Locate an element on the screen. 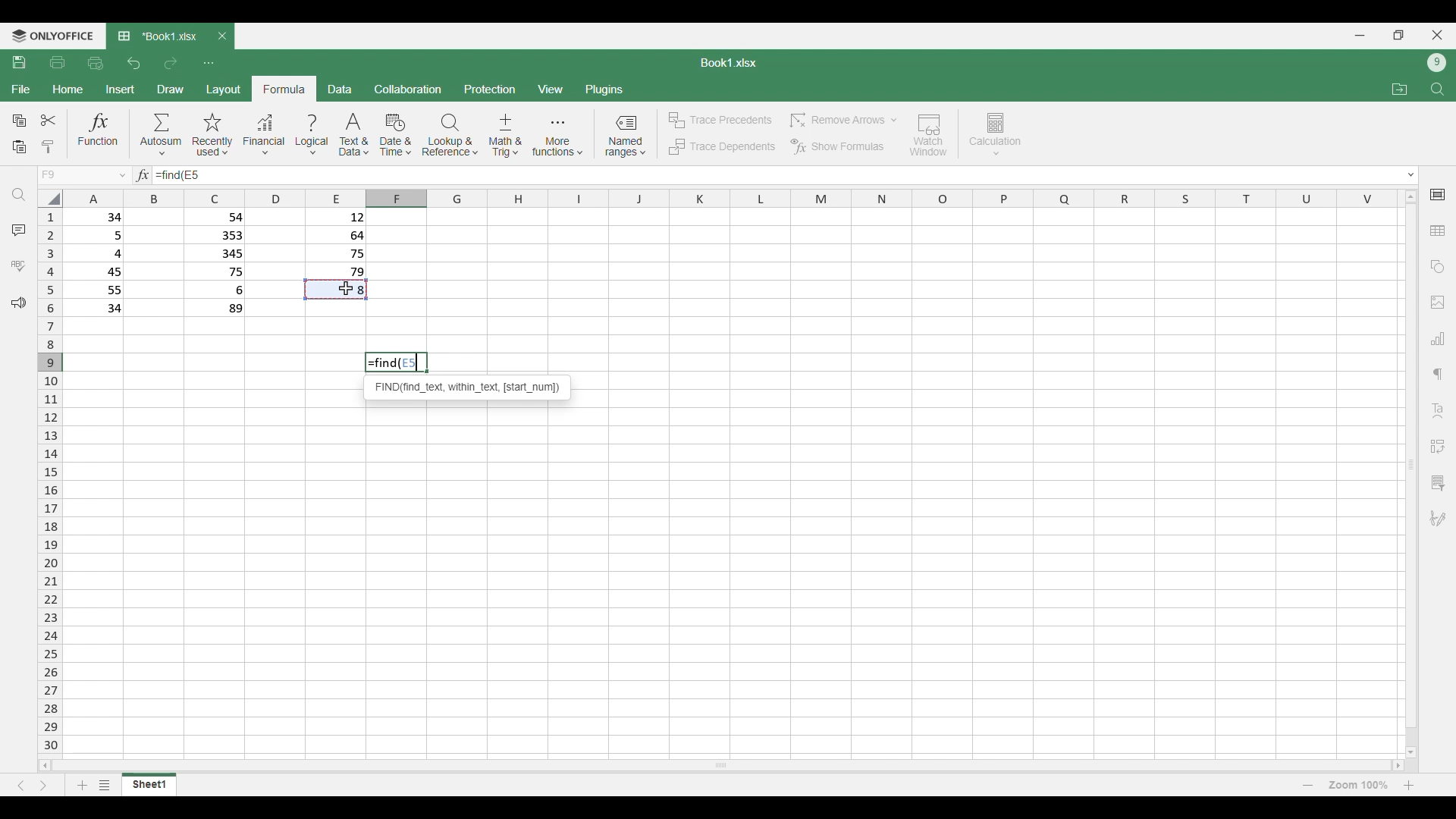 Image resolution: width=1456 pixels, height=819 pixels. Paste is located at coordinates (19, 148).